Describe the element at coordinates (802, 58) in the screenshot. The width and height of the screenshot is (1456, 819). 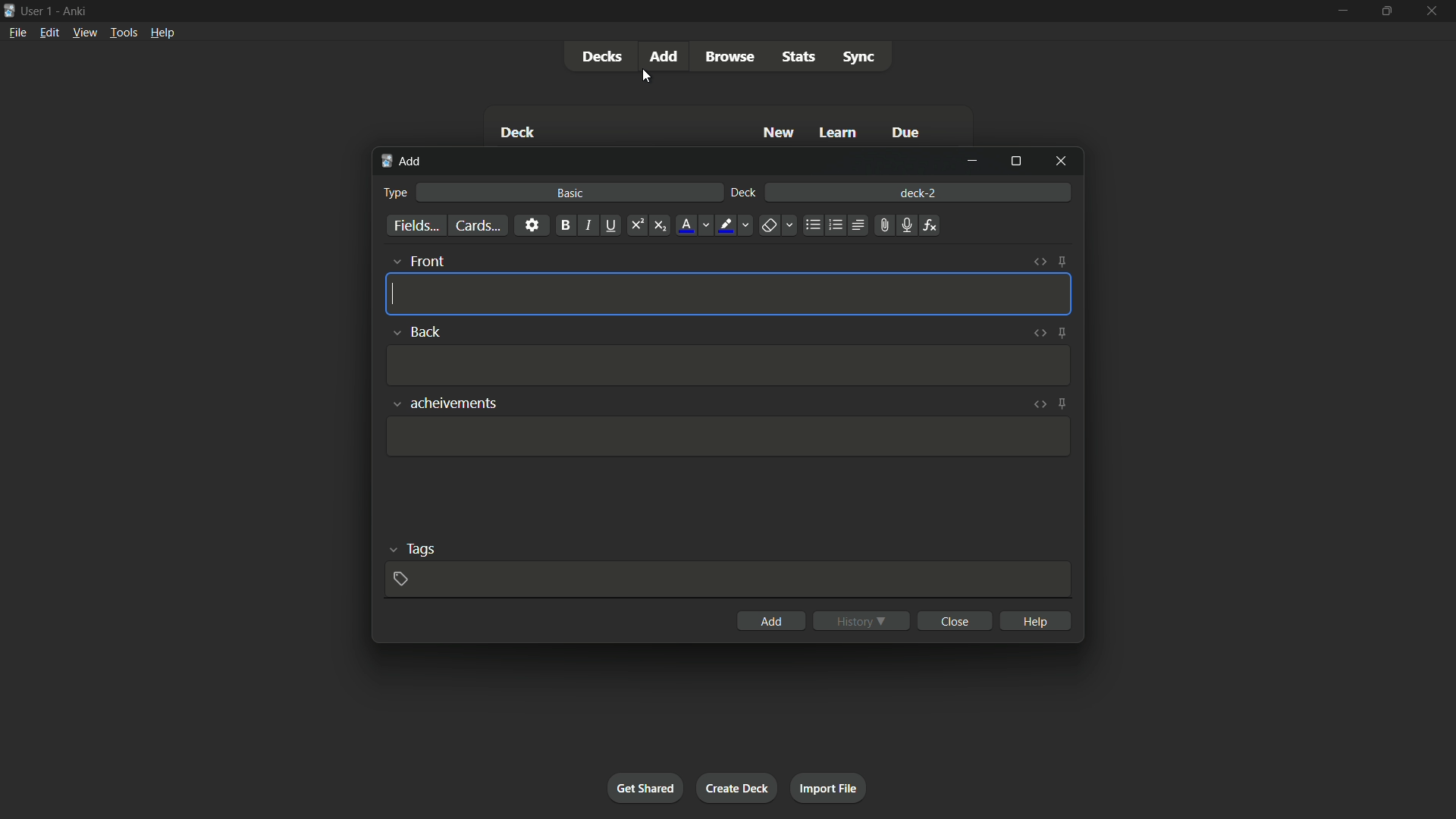
I see `stats` at that location.